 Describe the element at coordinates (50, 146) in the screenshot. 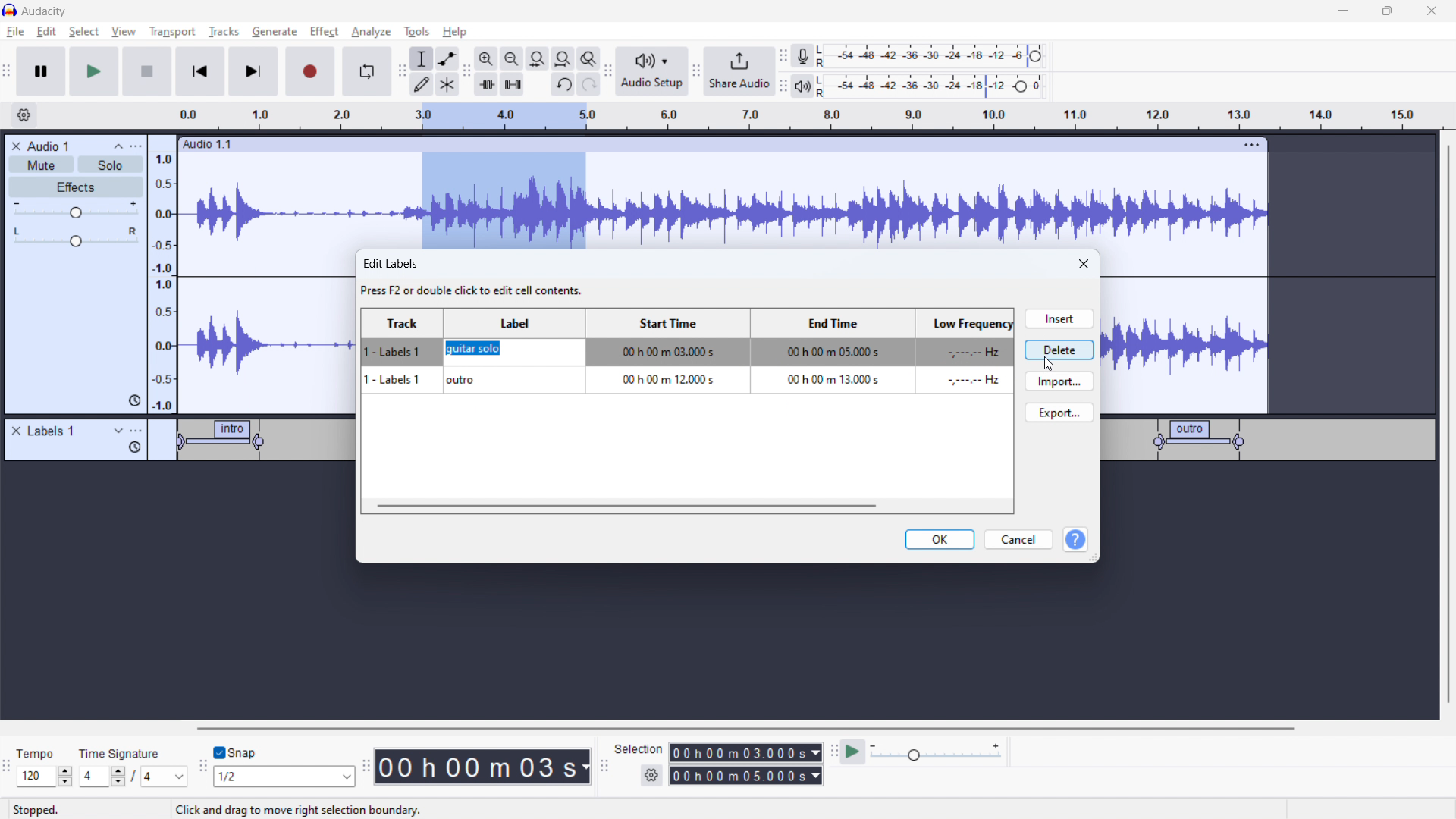

I see `track title` at that location.